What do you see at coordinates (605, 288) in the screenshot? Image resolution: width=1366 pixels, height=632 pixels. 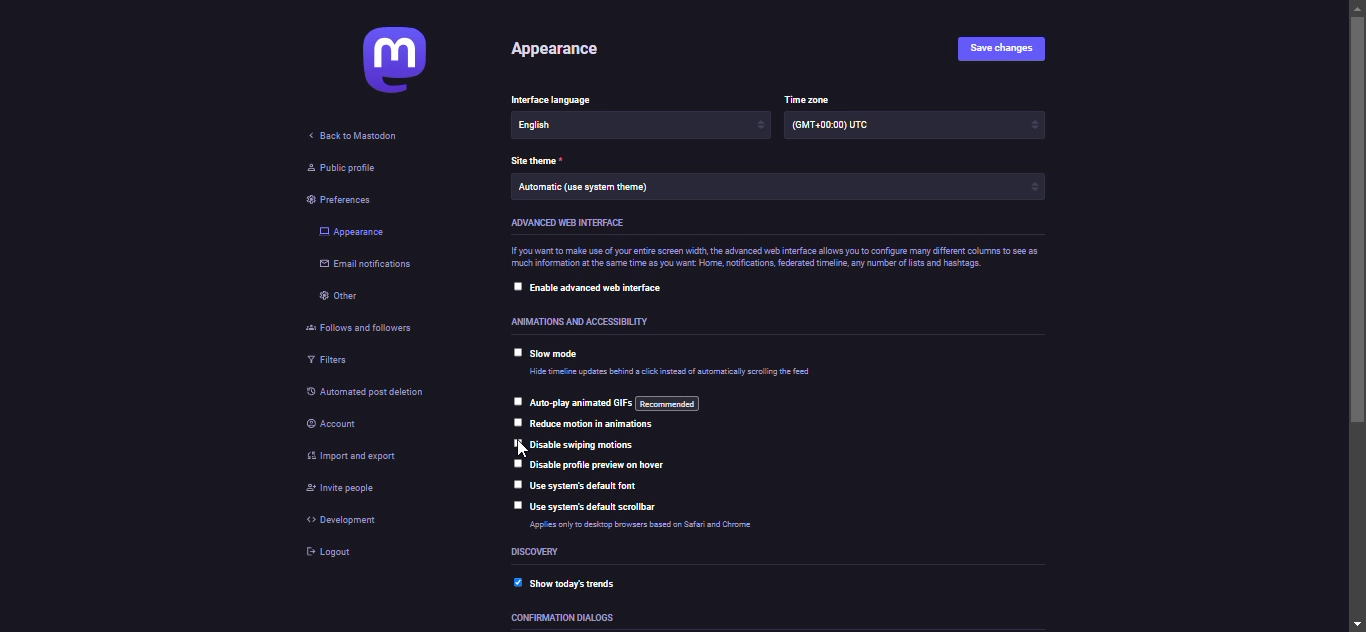 I see `enable advanced web interface` at bounding box center [605, 288].